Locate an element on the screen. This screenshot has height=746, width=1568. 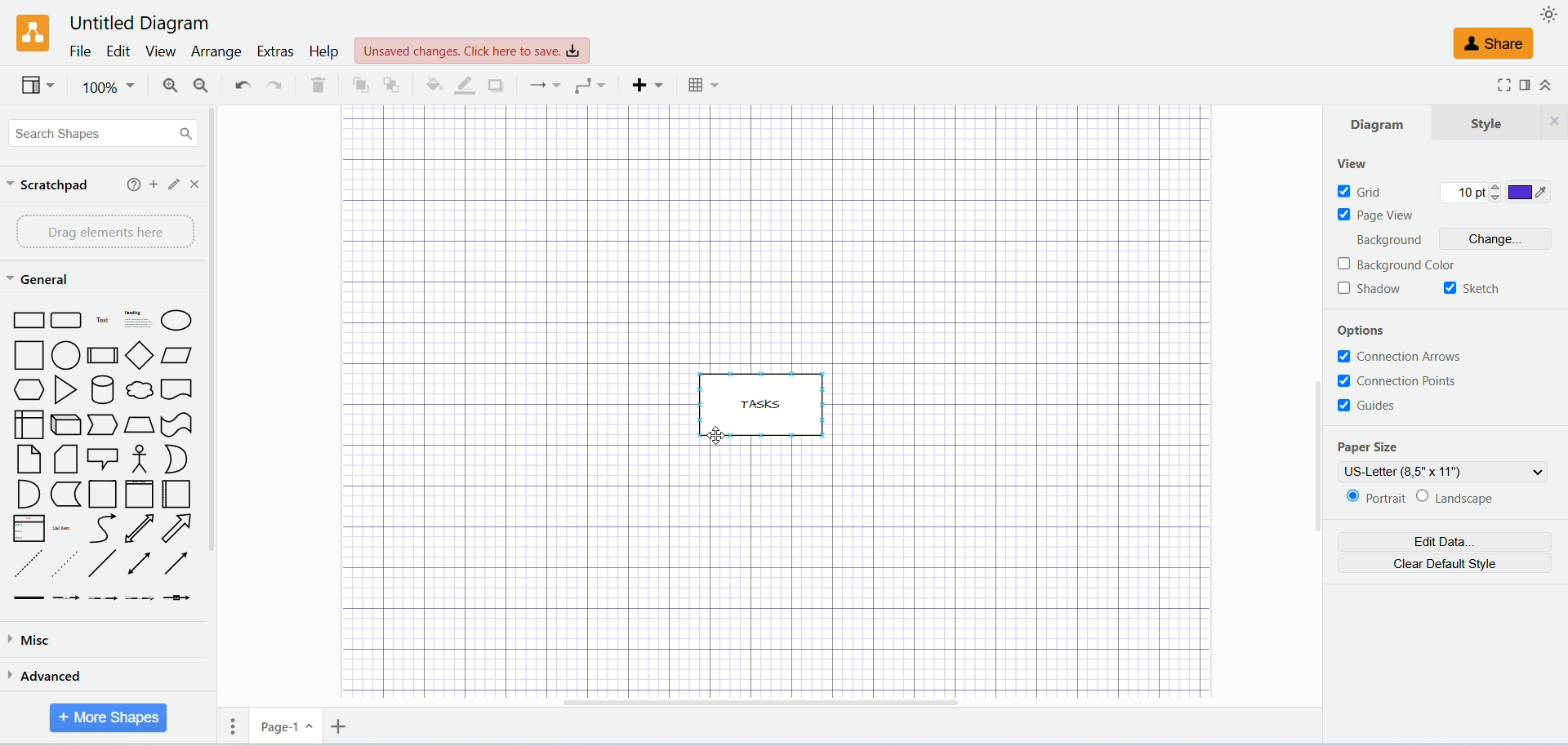
Connector with 3 label is located at coordinates (139, 599).